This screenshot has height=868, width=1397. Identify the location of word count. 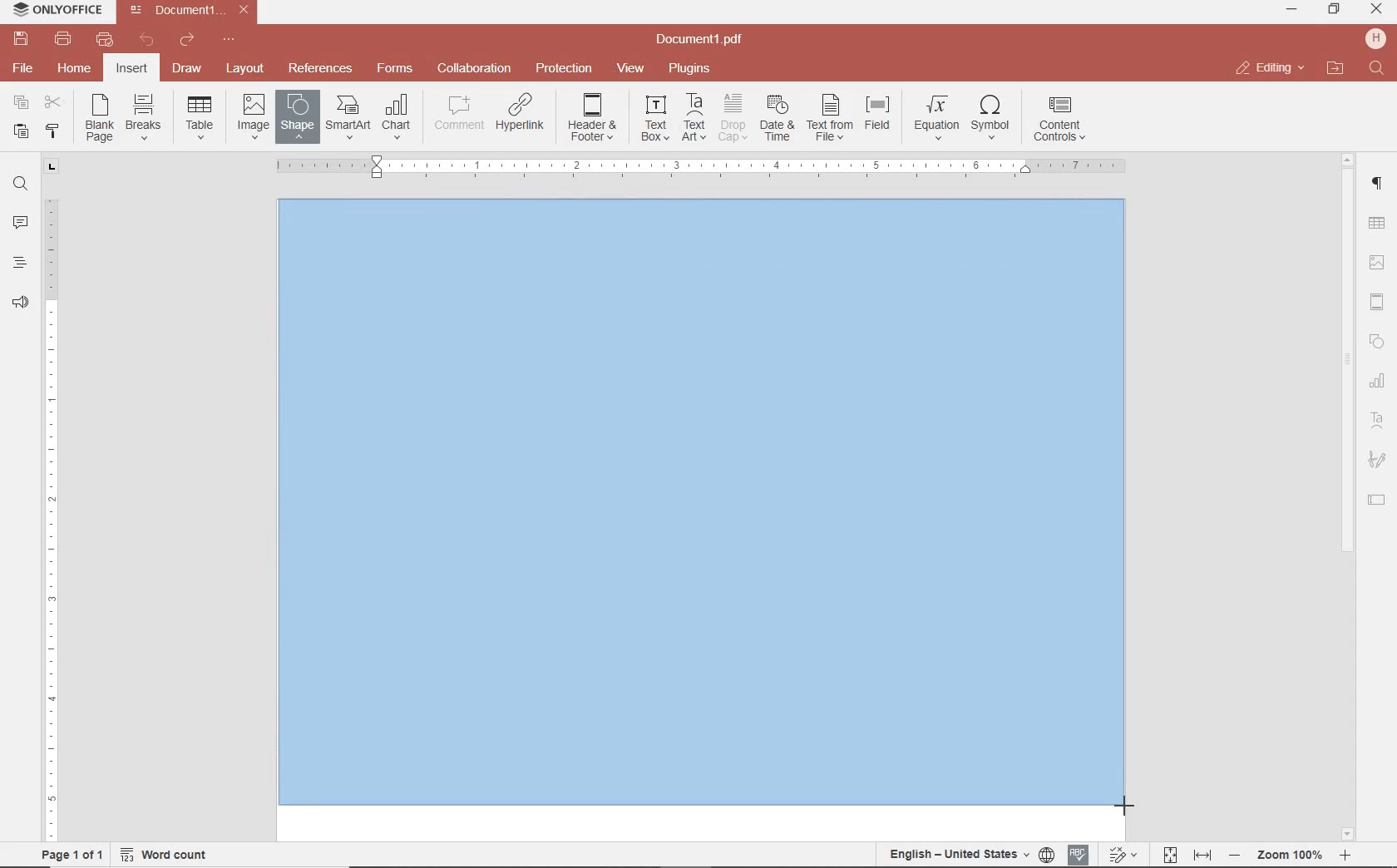
(170, 855).